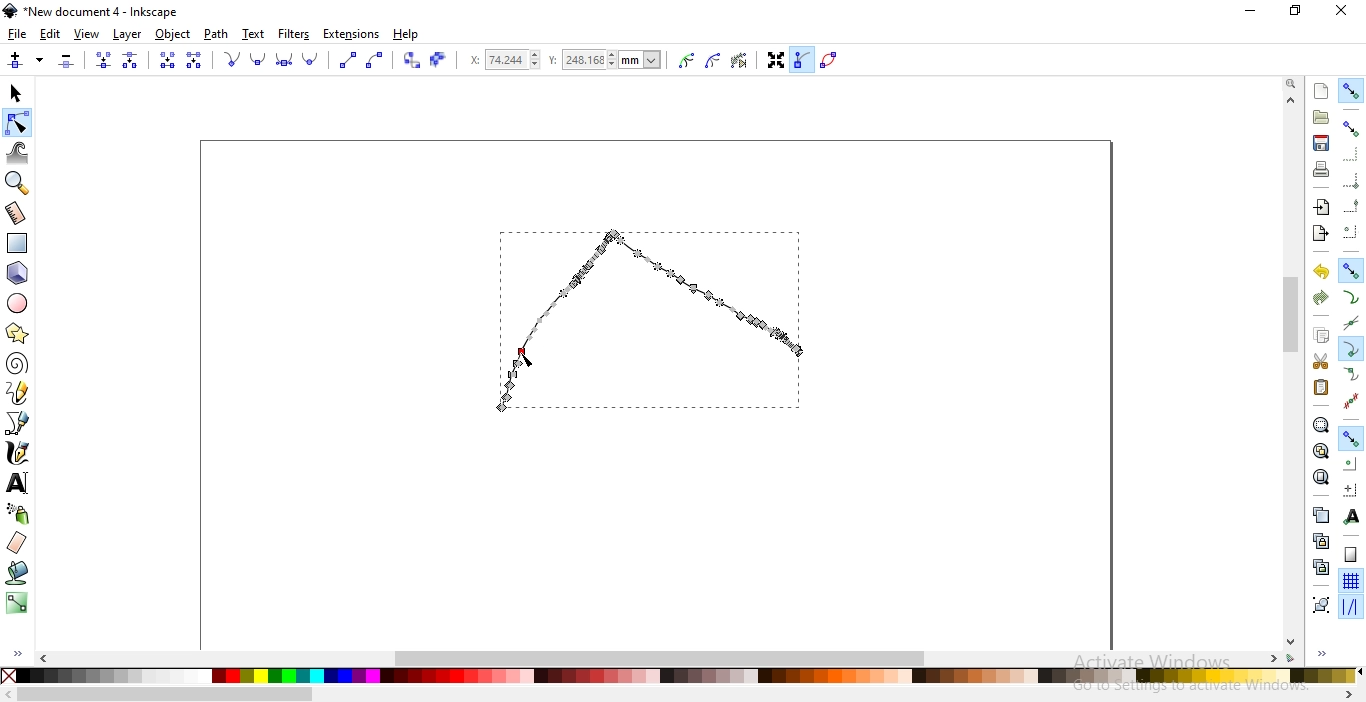  What do you see at coordinates (1293, 317) in the screenshot?
I see `scrollbar` at bounding box center [1293, 317].